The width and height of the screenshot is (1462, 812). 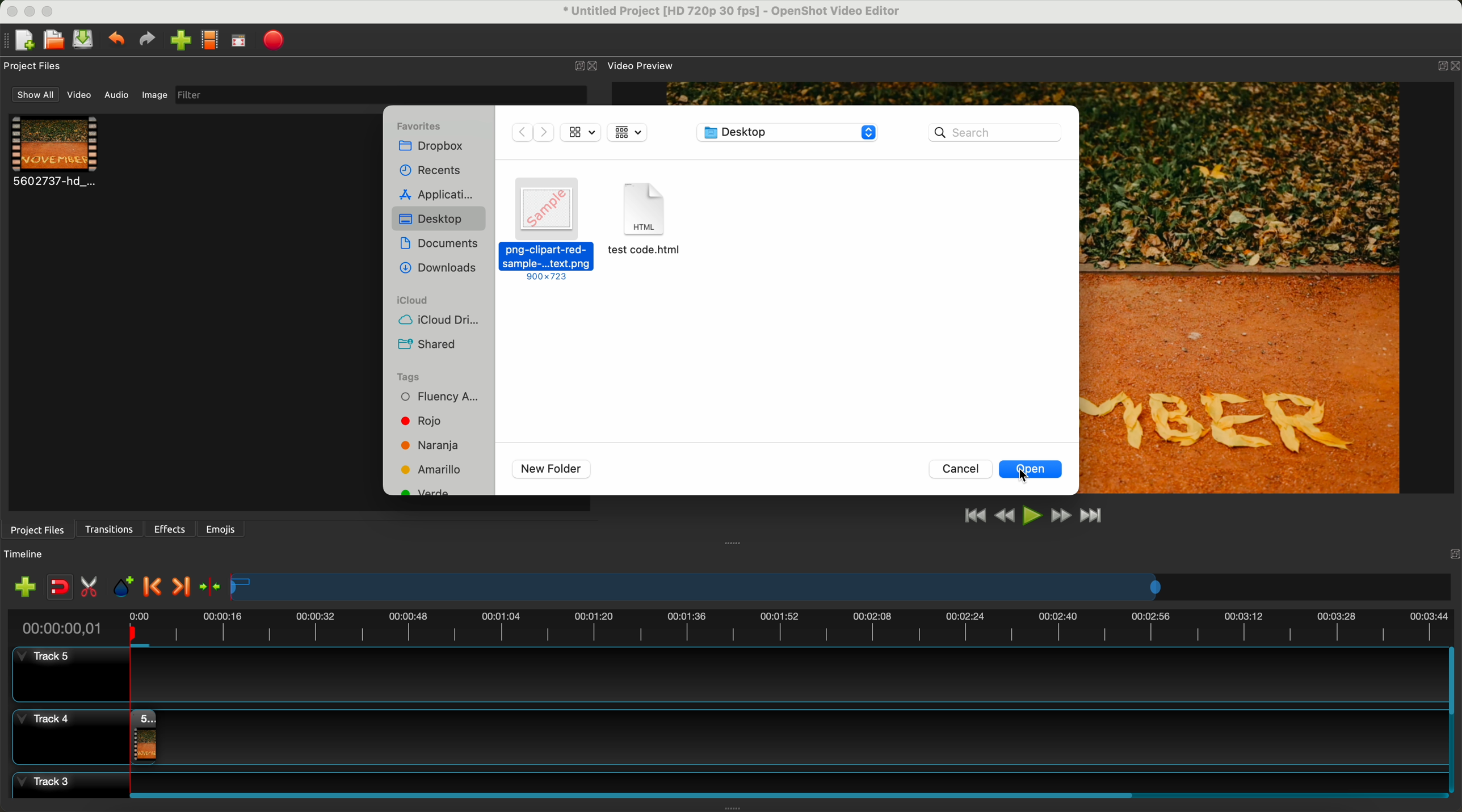 What do you see at coordinates (788, 133) in the screenshot?
I see `location` at bounding box center [788, 133].